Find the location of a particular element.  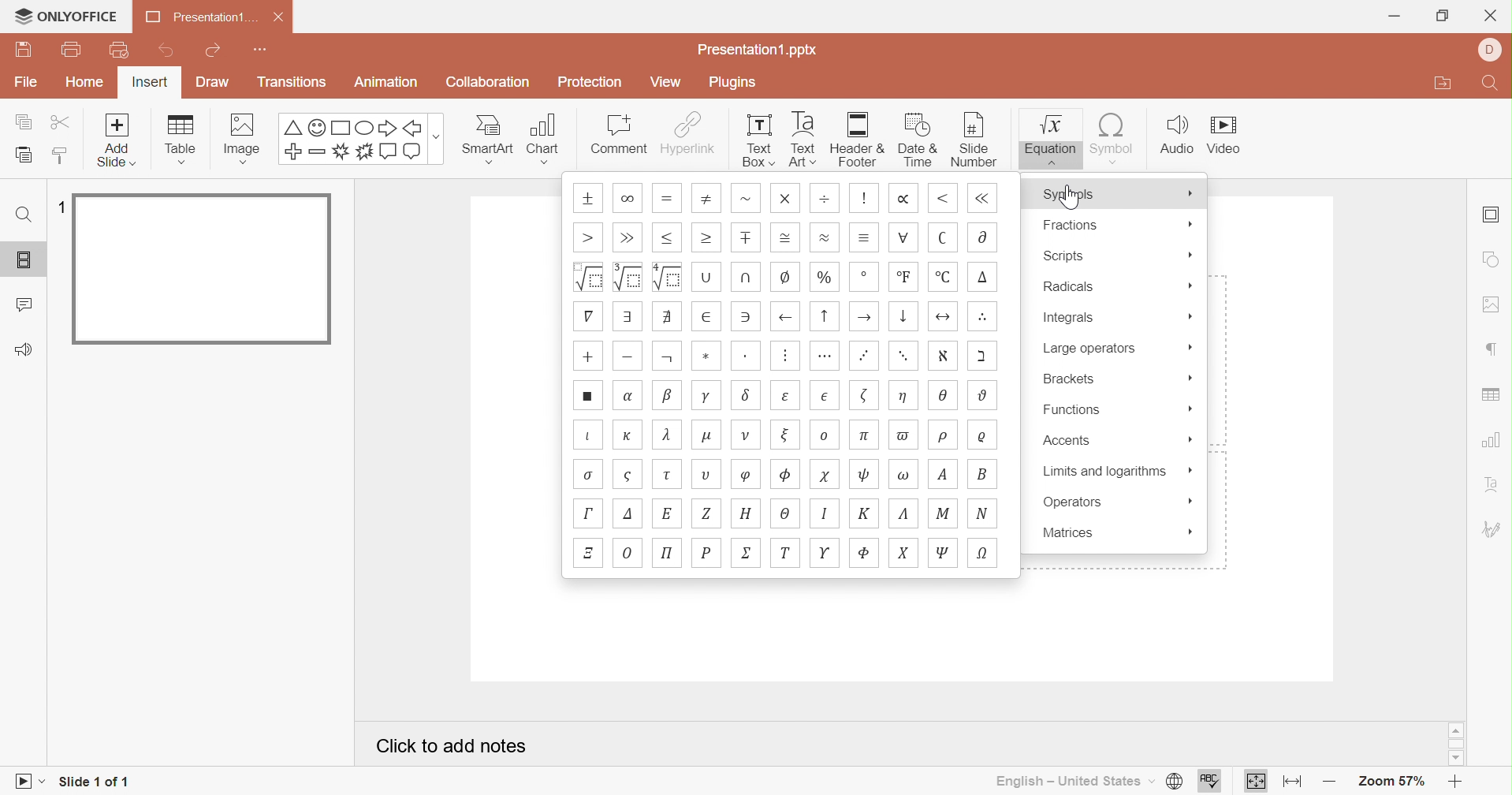

Comments is located at coordinates (25, 303).